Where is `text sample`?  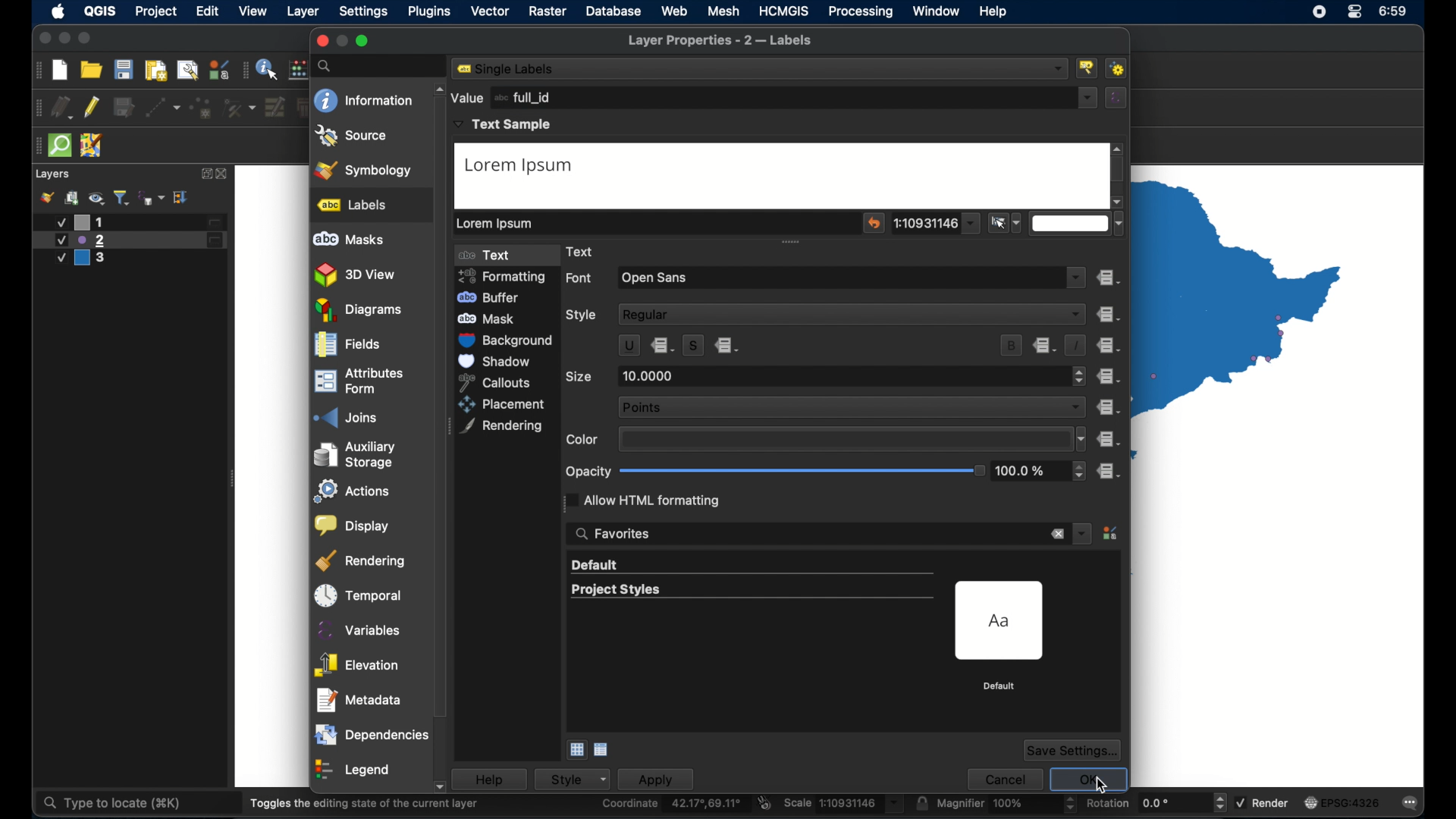 text sample is located at coordinates (504, 125).